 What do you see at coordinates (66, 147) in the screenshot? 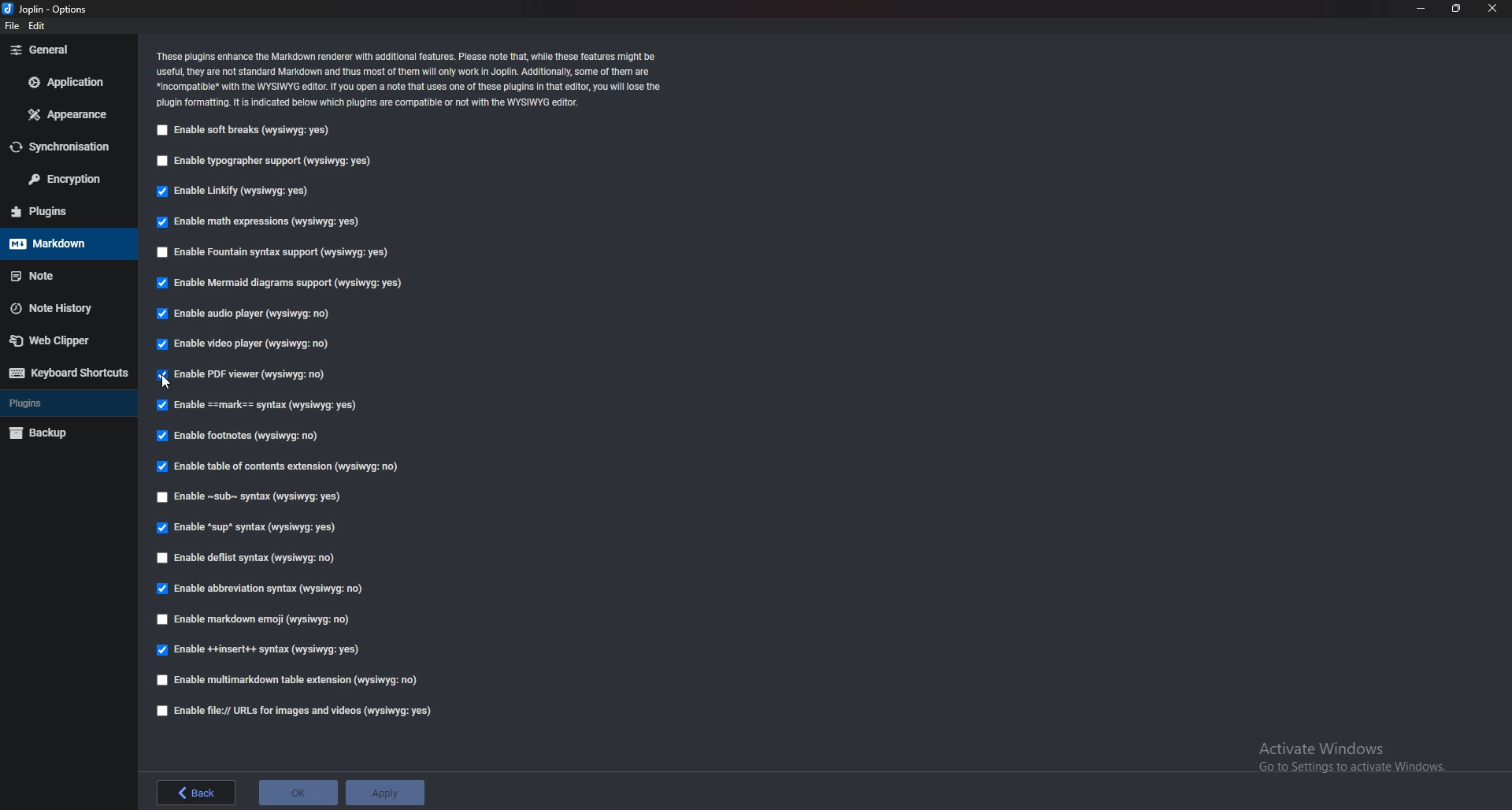
I see `Synchronization` at bounding box center [66, 147].